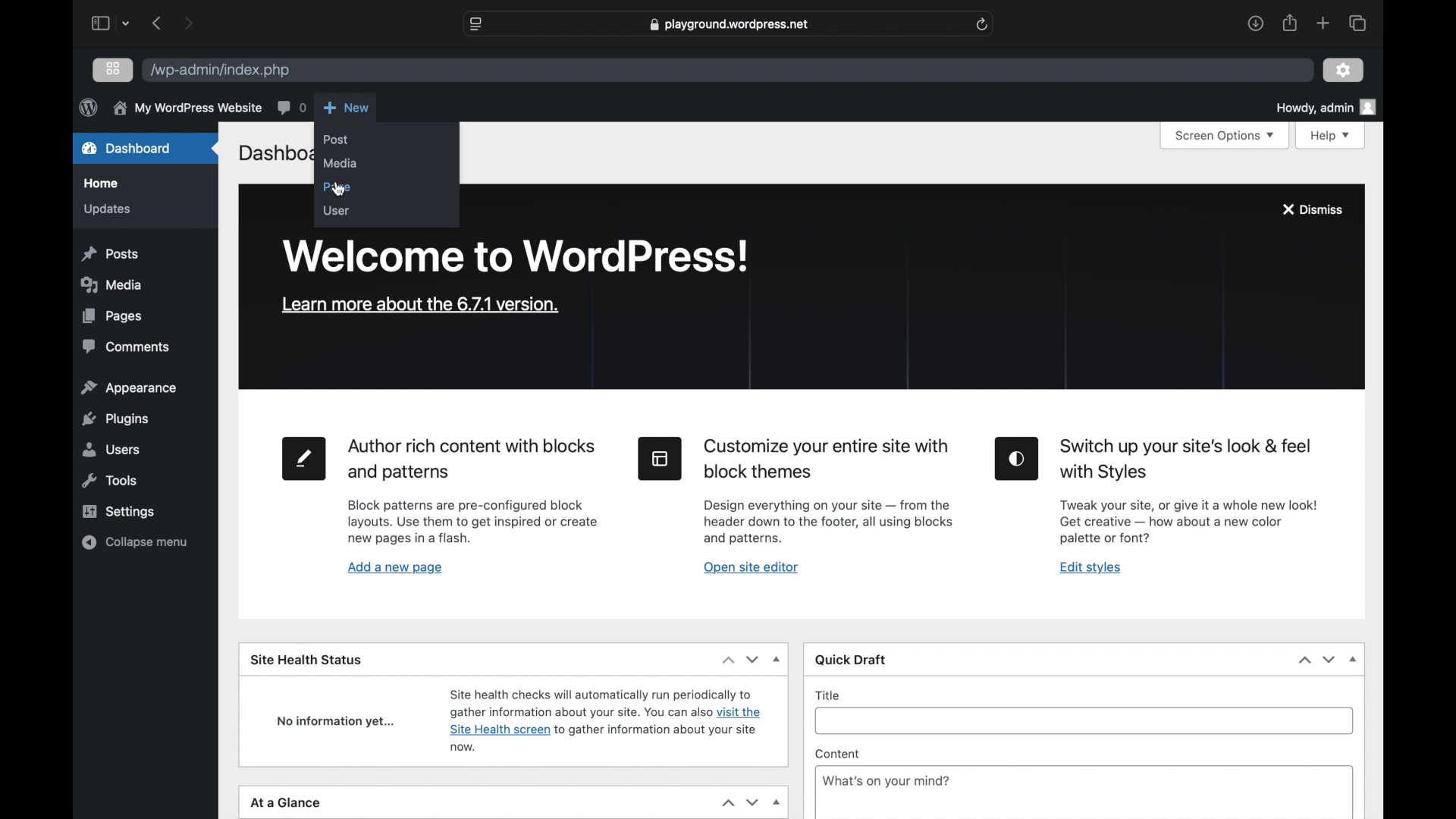 The height and width of the screenshot is (819, 1456). I want to click on content, so click(837, 754).